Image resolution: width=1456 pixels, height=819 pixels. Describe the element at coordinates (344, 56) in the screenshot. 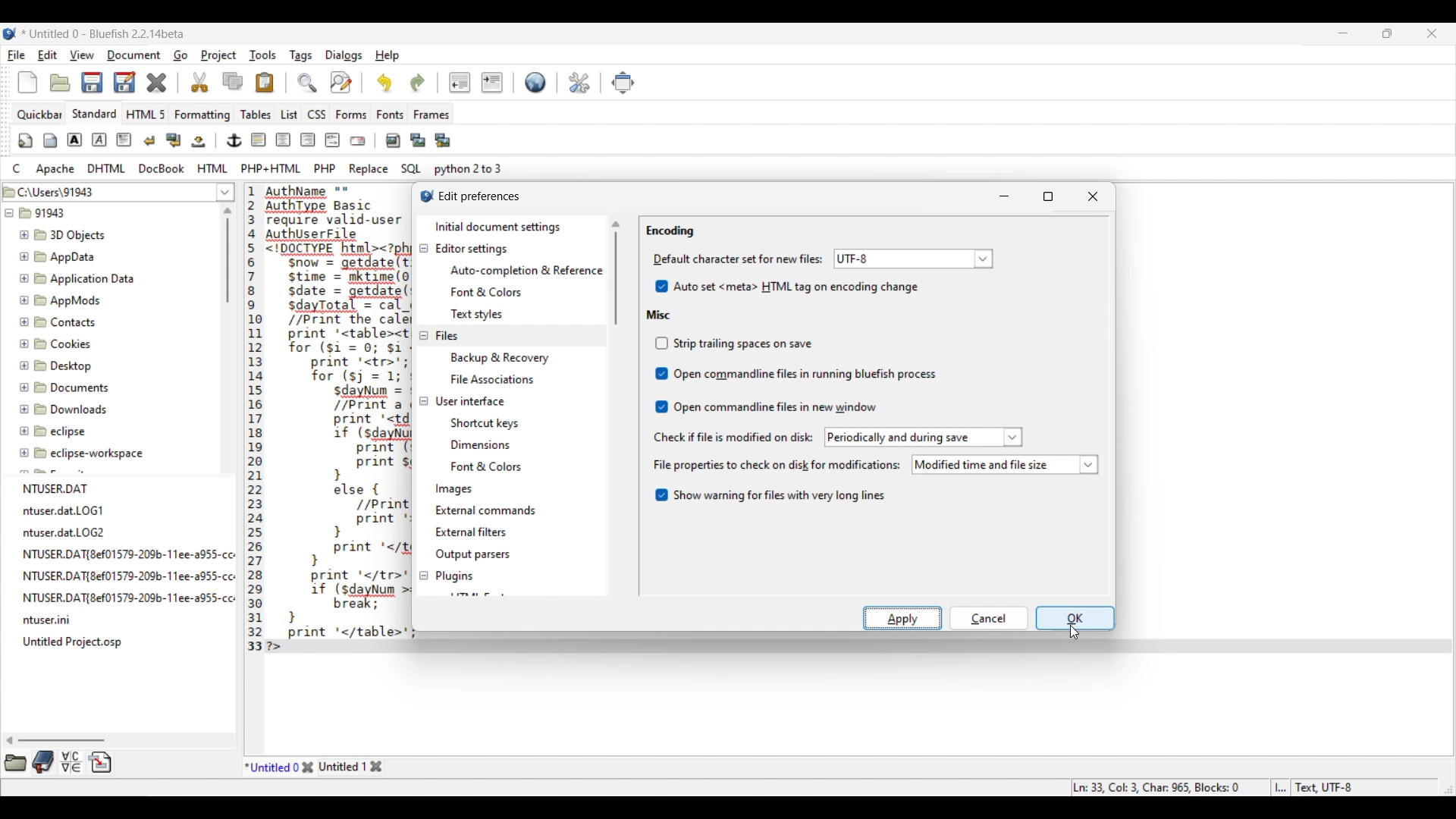

I see `Dialogs menu` at that location.